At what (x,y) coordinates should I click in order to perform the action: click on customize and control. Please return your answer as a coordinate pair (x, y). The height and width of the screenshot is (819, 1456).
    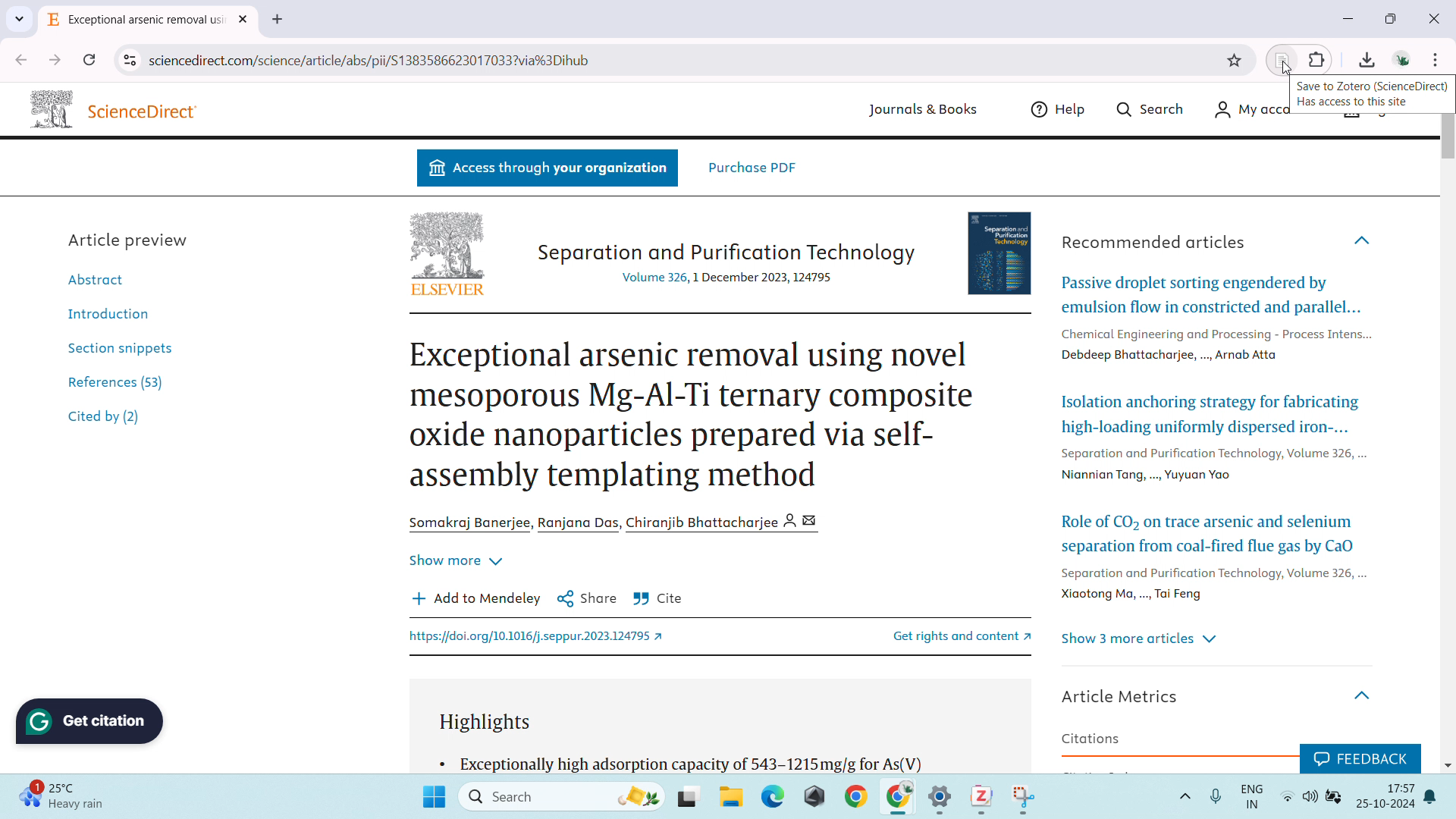
    Looking at the image, I should click on (1437, 59).